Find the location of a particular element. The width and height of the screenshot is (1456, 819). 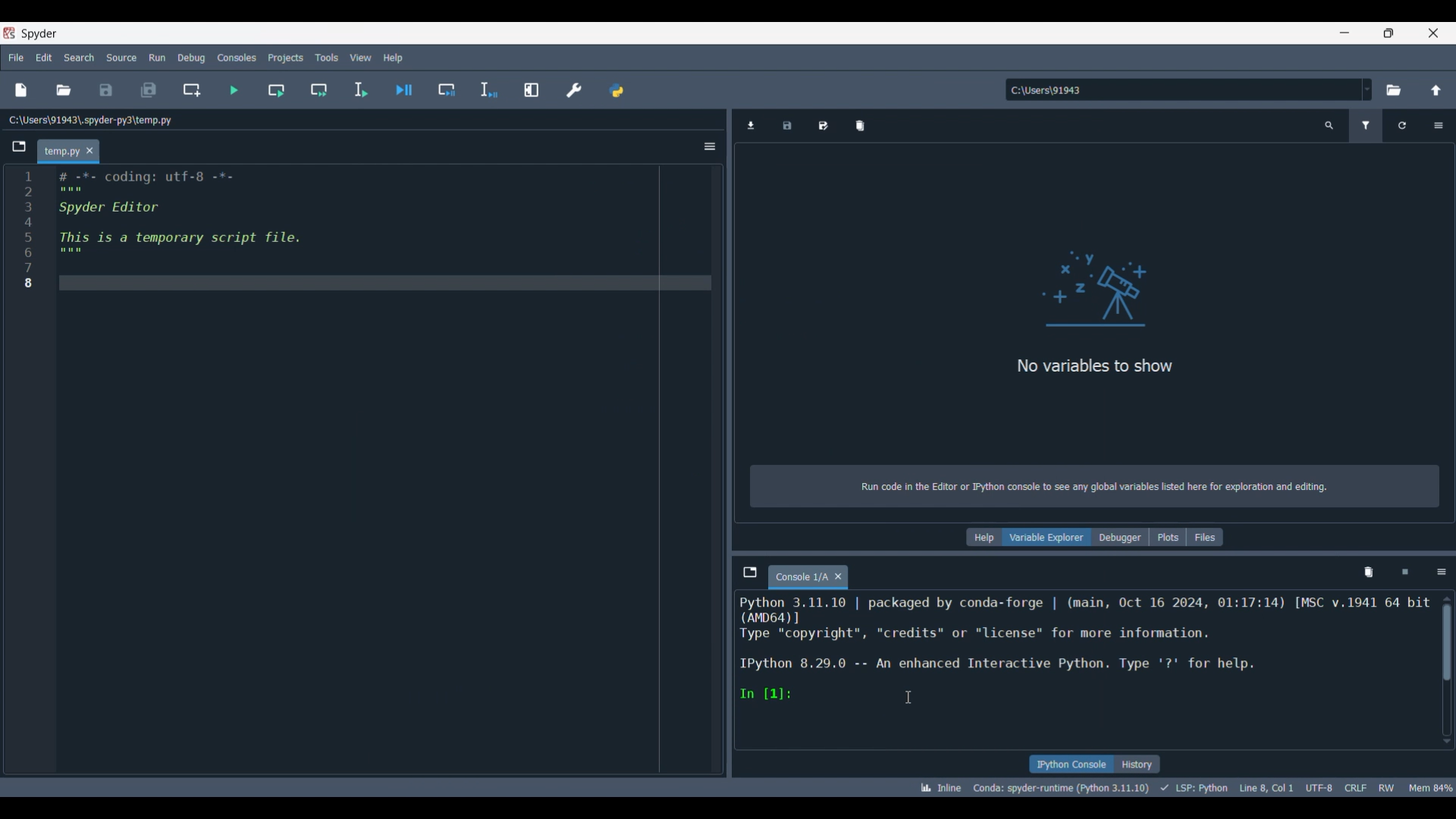

Search variable names and types is located at coordinates (1329, 126).